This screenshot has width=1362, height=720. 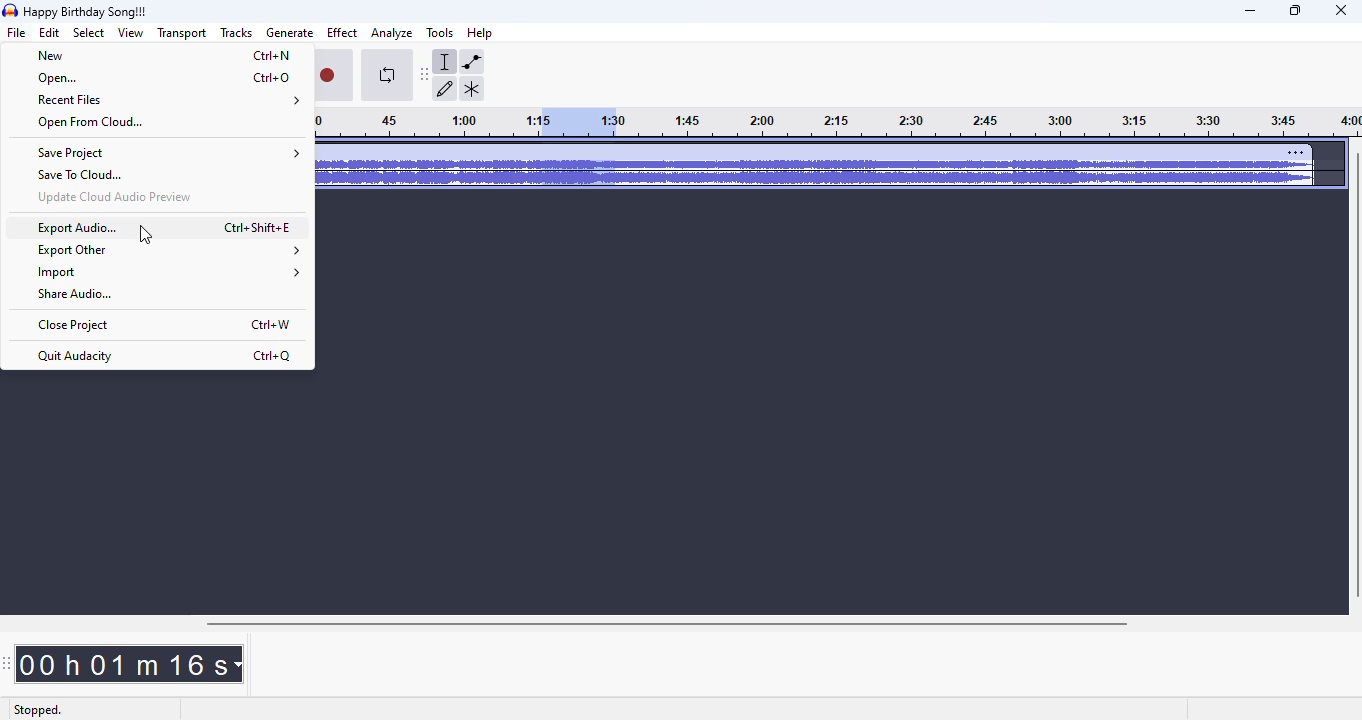 I want to click on vertical scroll bar, so click(x=1353, y=376).